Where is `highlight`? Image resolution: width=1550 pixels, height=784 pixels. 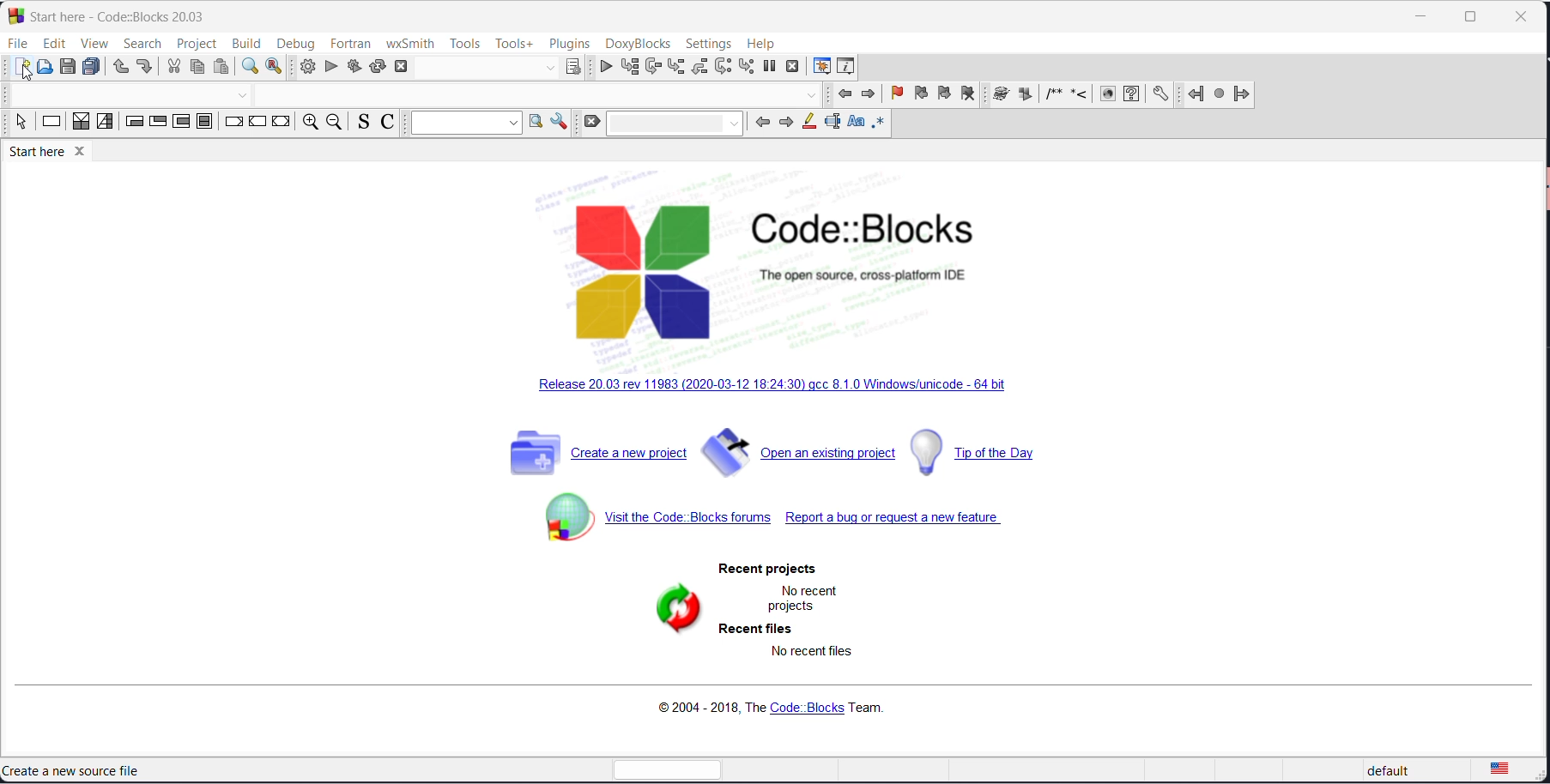
highlight is located at coordinates (808, 124).